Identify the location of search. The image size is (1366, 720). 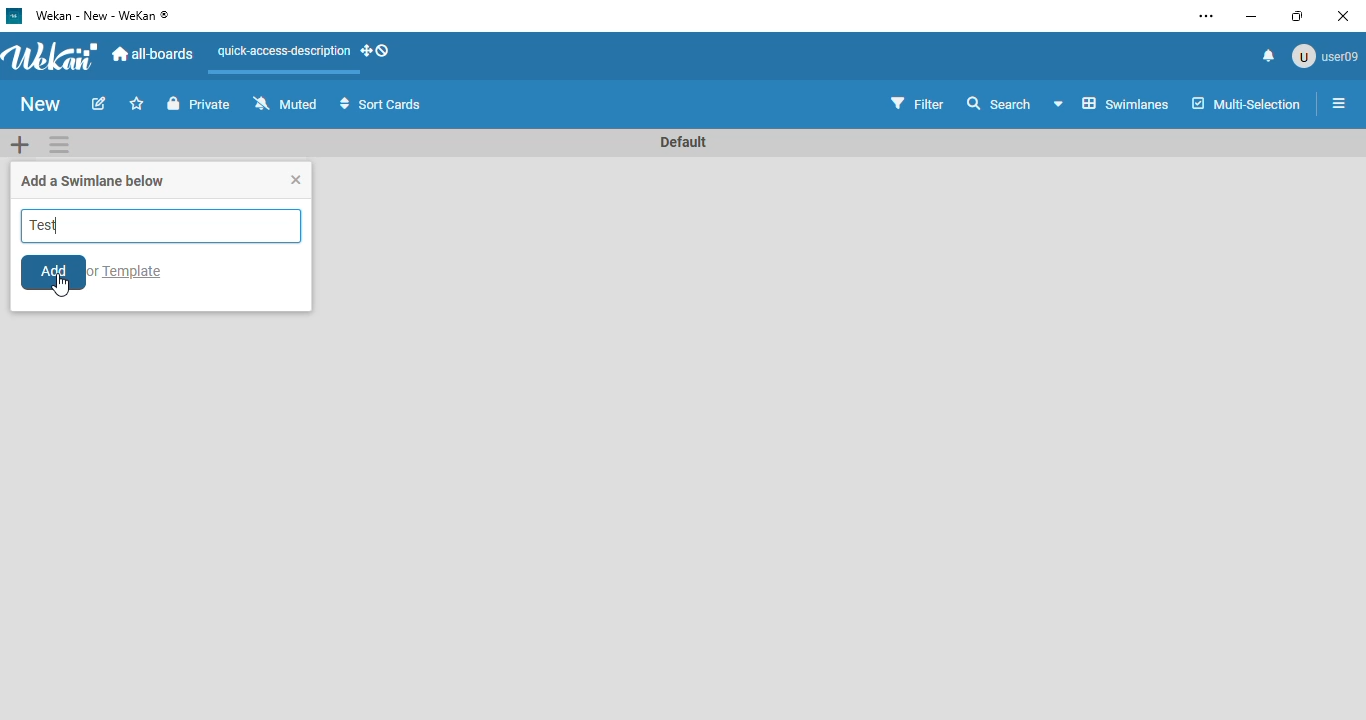
(1000, 103).